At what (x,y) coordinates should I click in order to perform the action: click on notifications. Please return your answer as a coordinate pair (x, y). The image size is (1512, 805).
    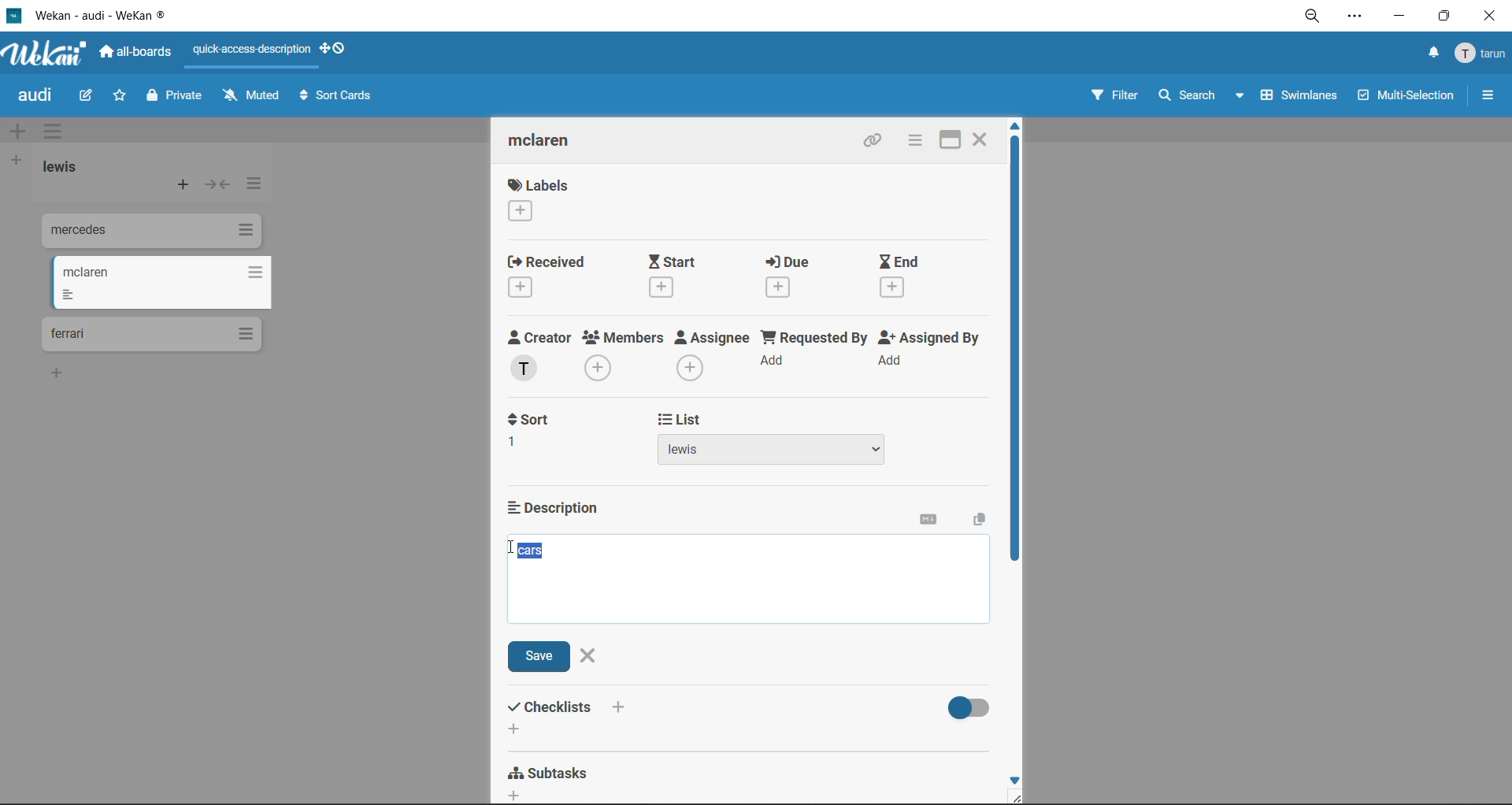
    Looking at the image, I should click on (1431, 55).